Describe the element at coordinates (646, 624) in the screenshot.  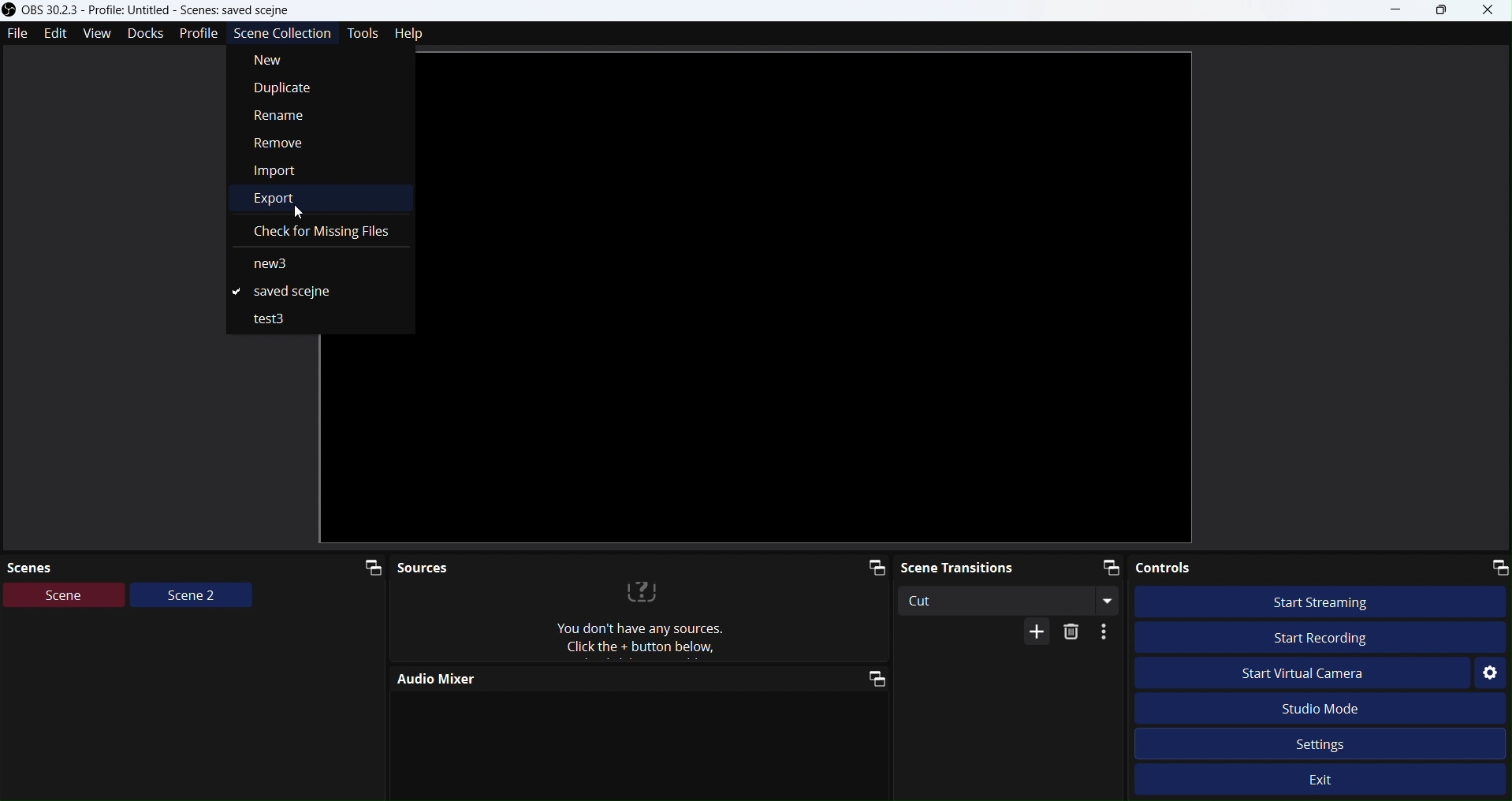
I see `text` at that location.